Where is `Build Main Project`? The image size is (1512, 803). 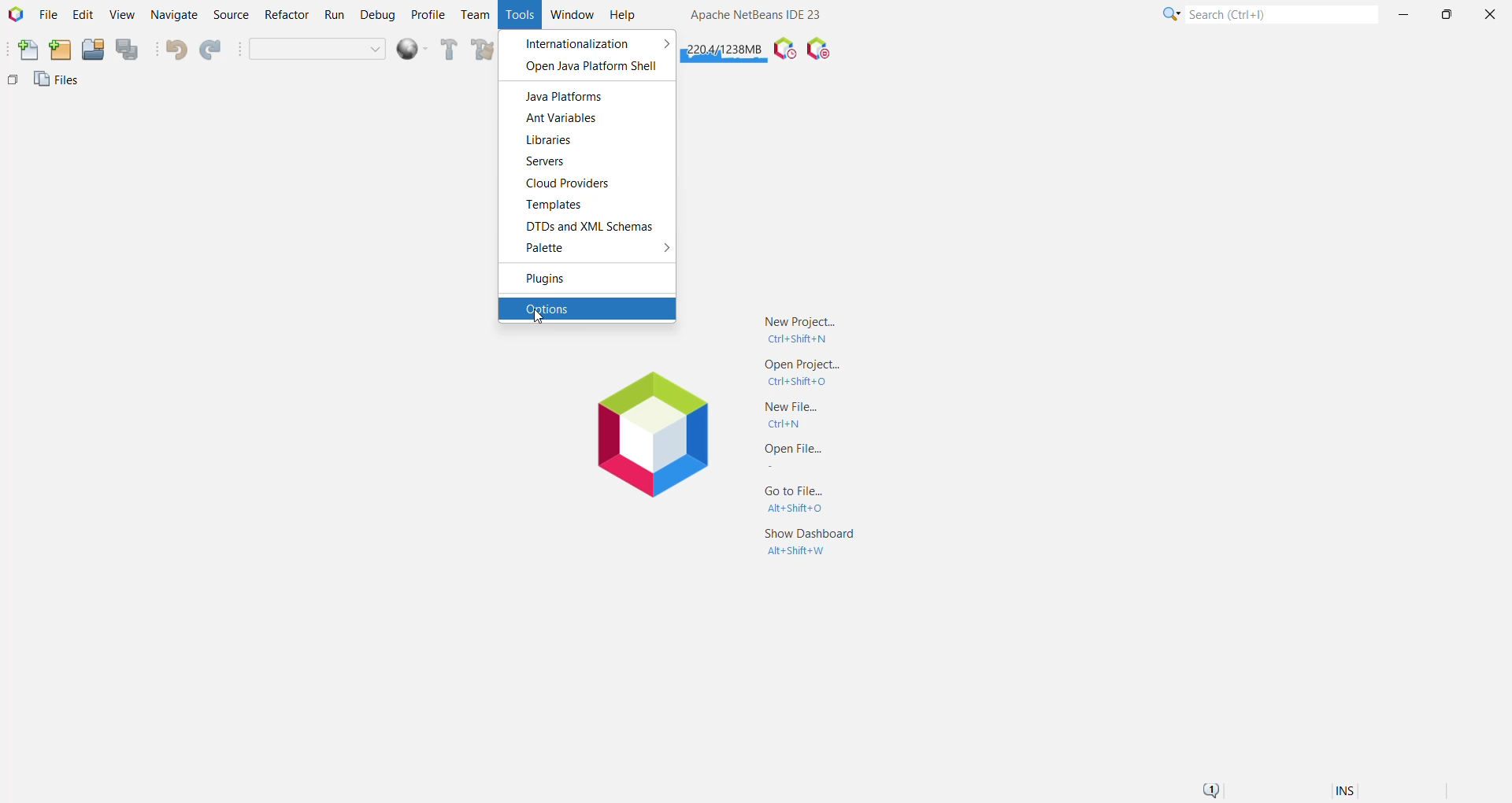
Build Main Project is located at coordinates (447, 50).